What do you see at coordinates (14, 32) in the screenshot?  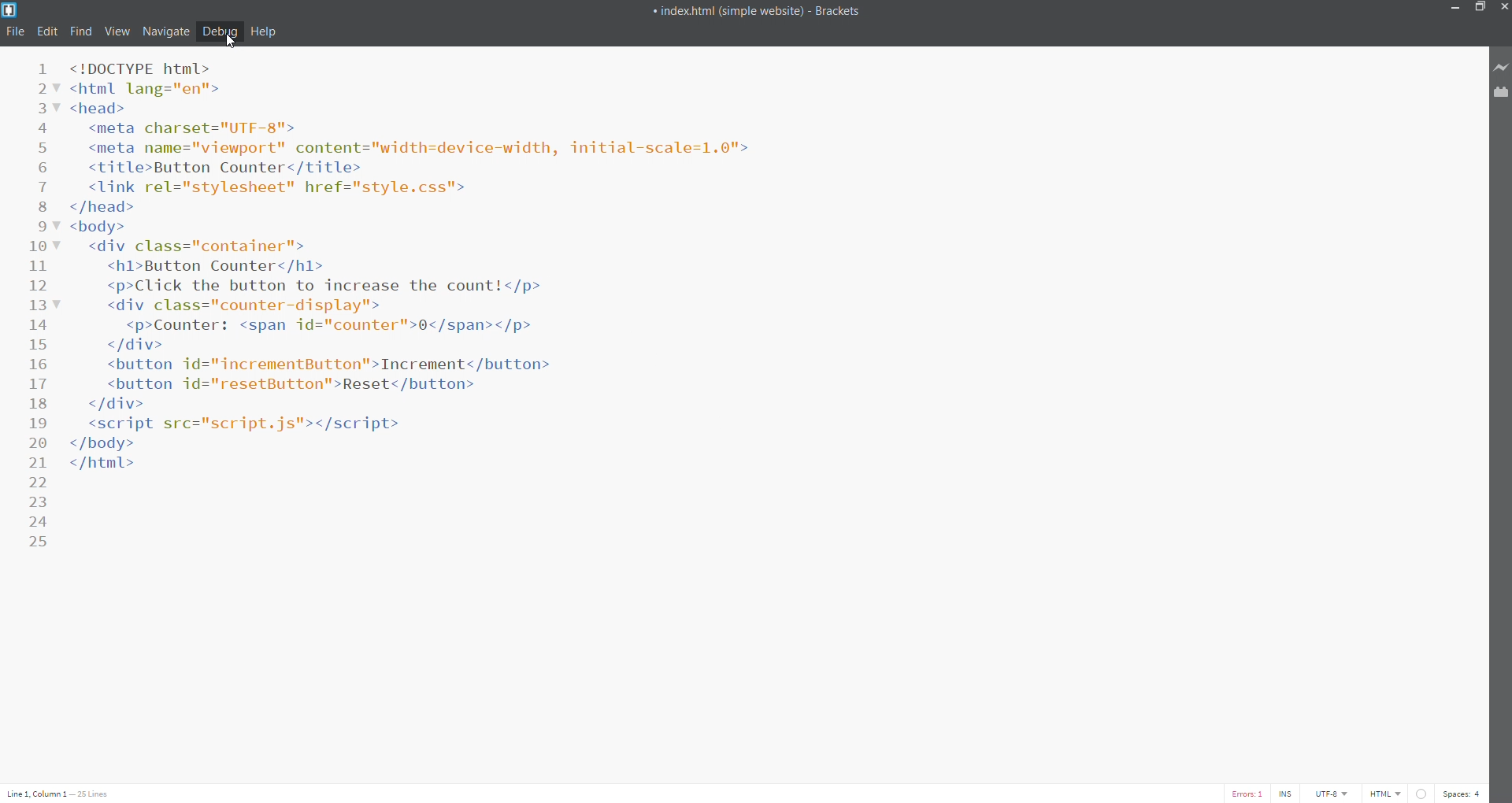 I see `file` at bounding box center [14, 32].